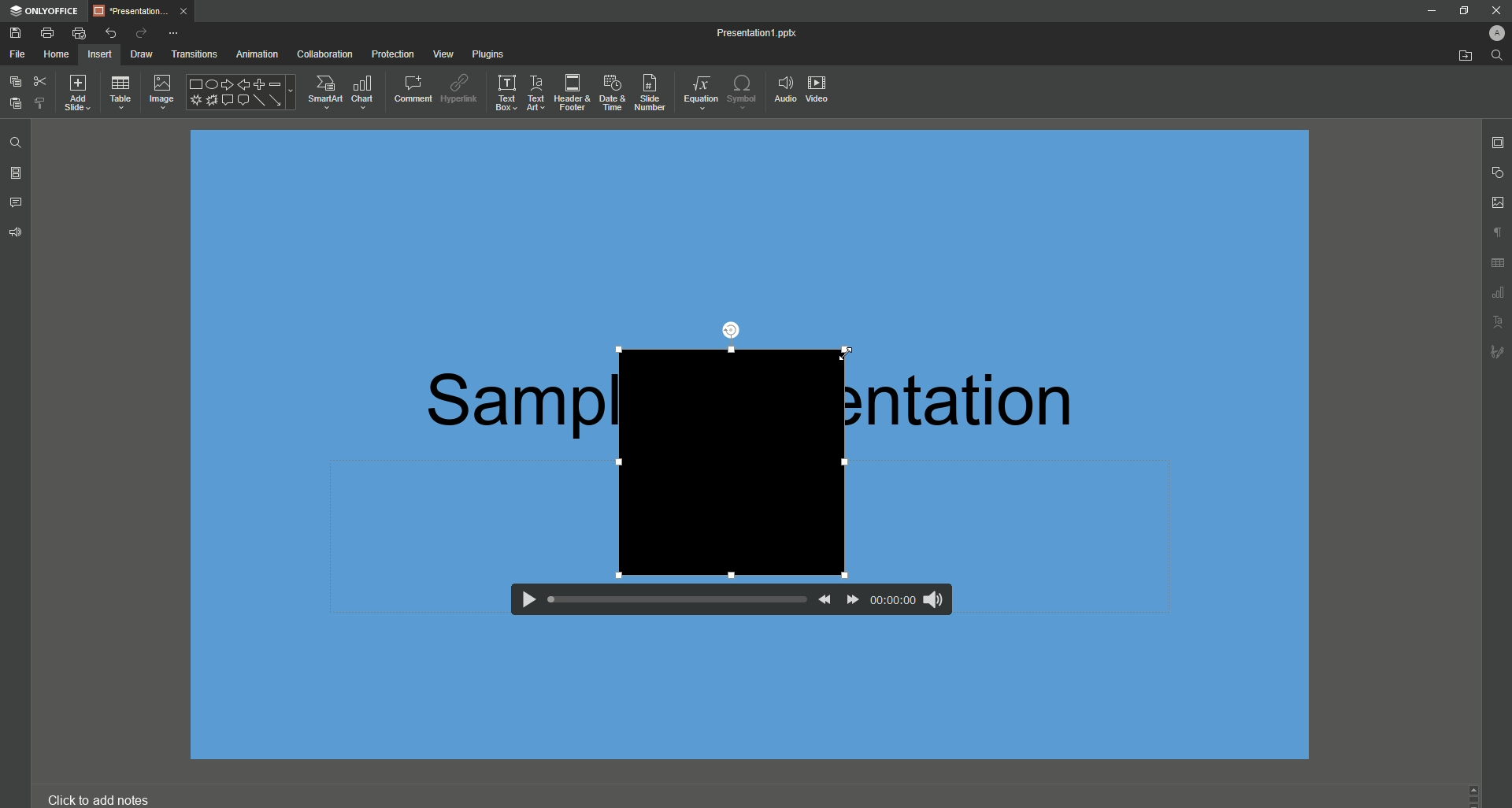  What do you see at coordinates (110, 31) in the screenshot?
I see `Undo` at bounding box center [110, 31].